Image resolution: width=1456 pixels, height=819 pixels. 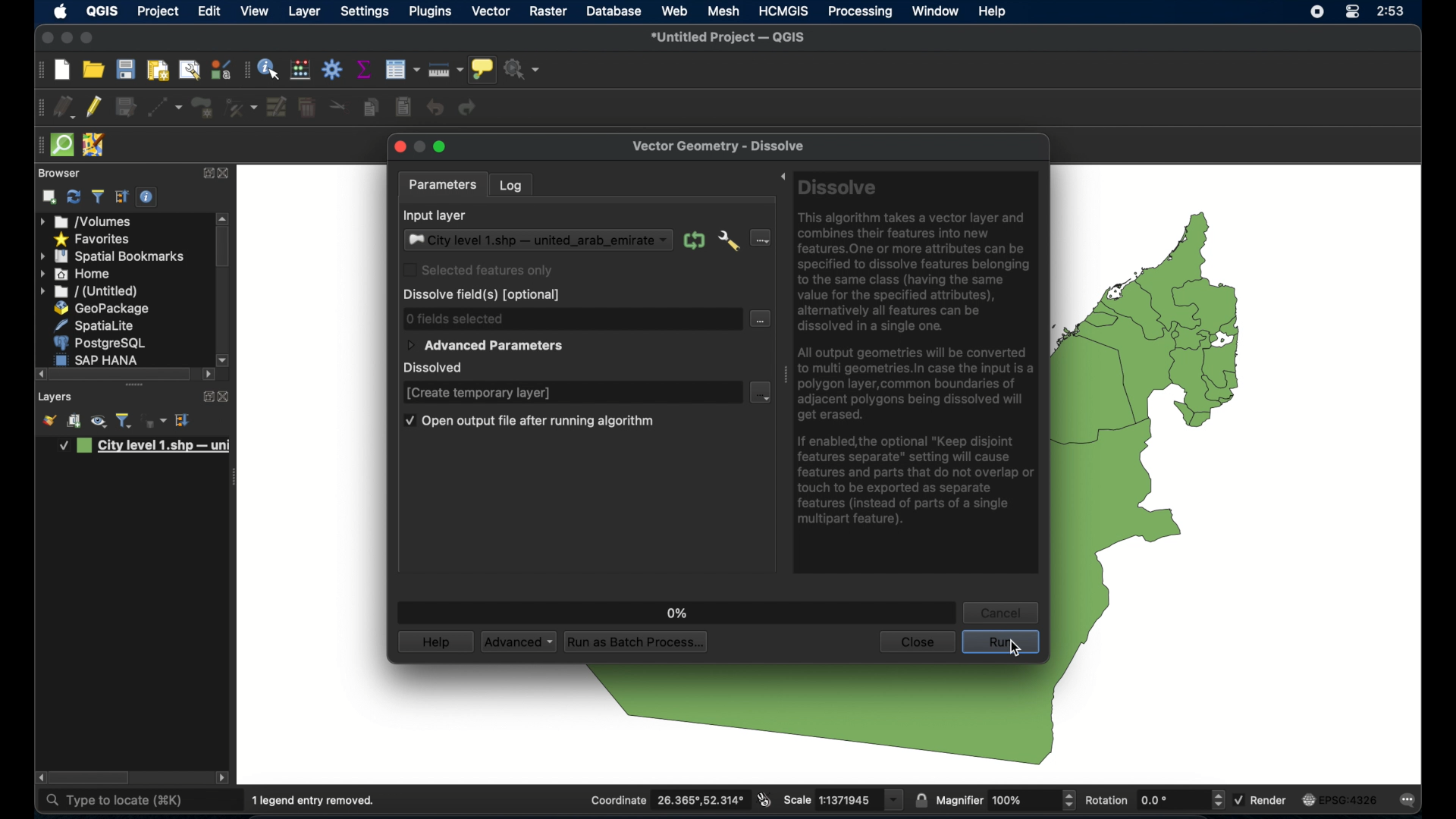 I want to click on scale, so click(x=843, y=800).